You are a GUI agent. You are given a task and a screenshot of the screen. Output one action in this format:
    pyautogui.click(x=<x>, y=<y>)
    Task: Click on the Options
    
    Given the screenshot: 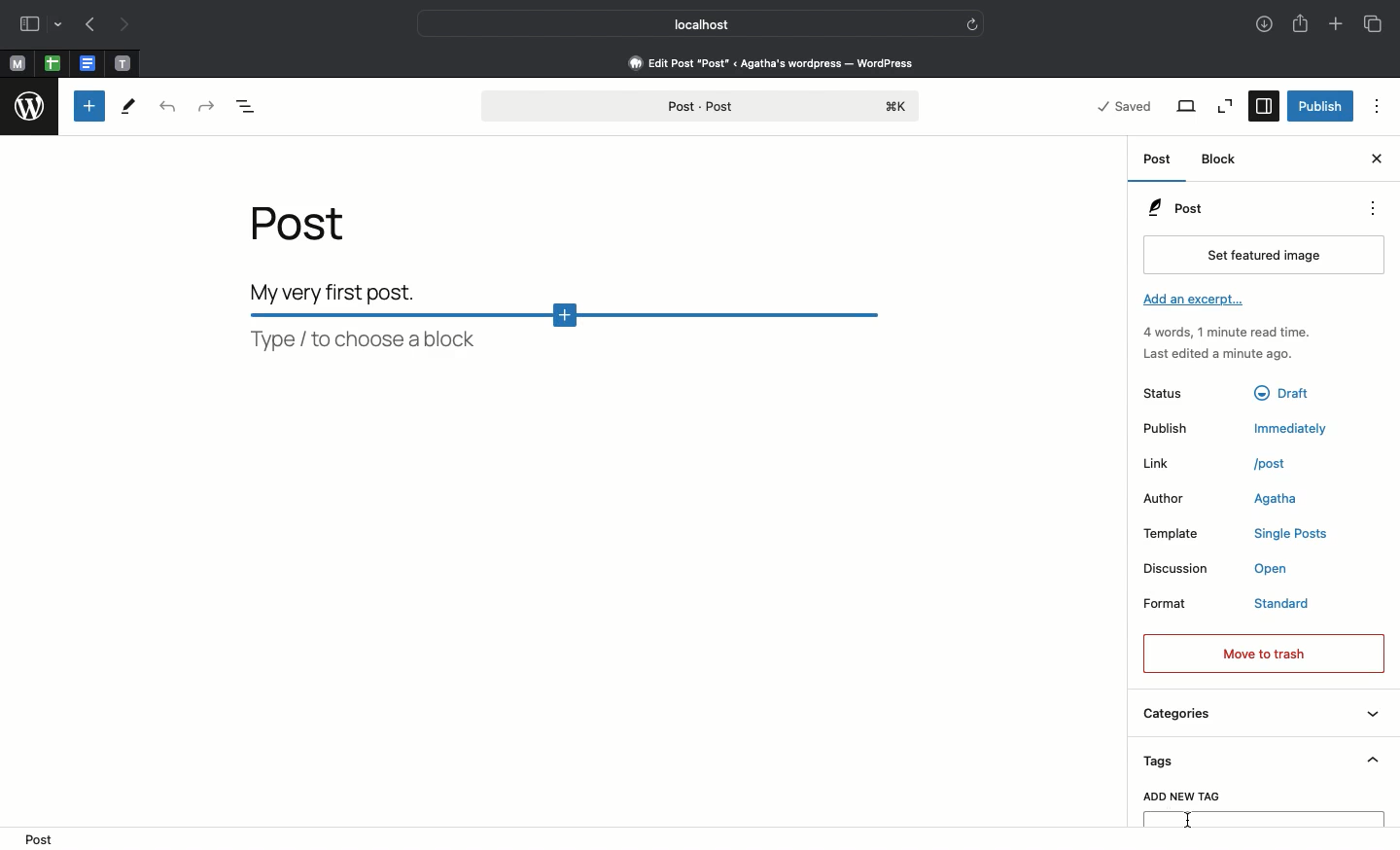 What is the action you would take?
    pyautogui.click(x=1378, y=109)
    